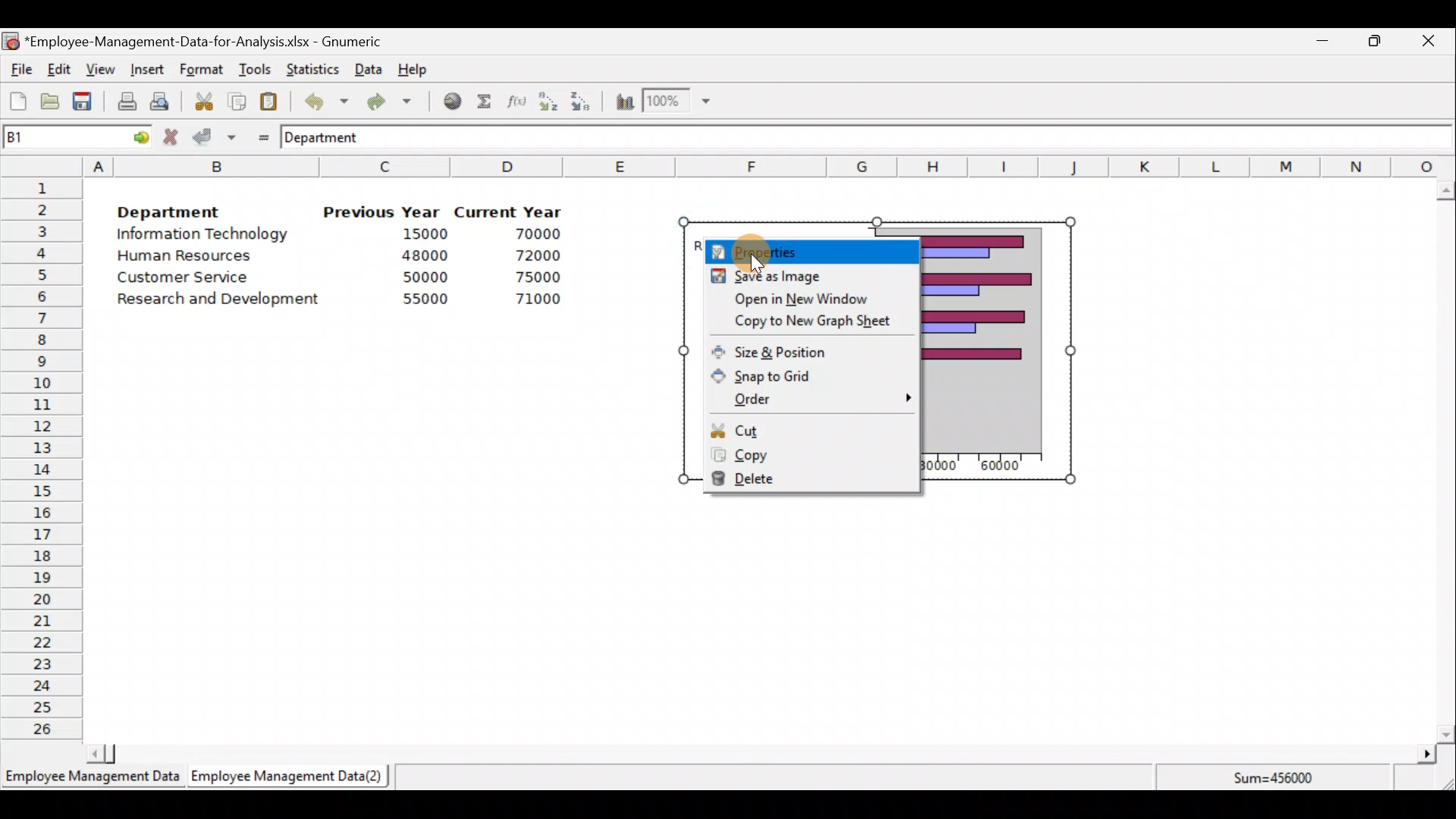 This screenshot has height=819, width=1456. What do you see at coordinates (805, 298) in the screenshot?
I see `Open in new window` at bounding box center [805, 298].